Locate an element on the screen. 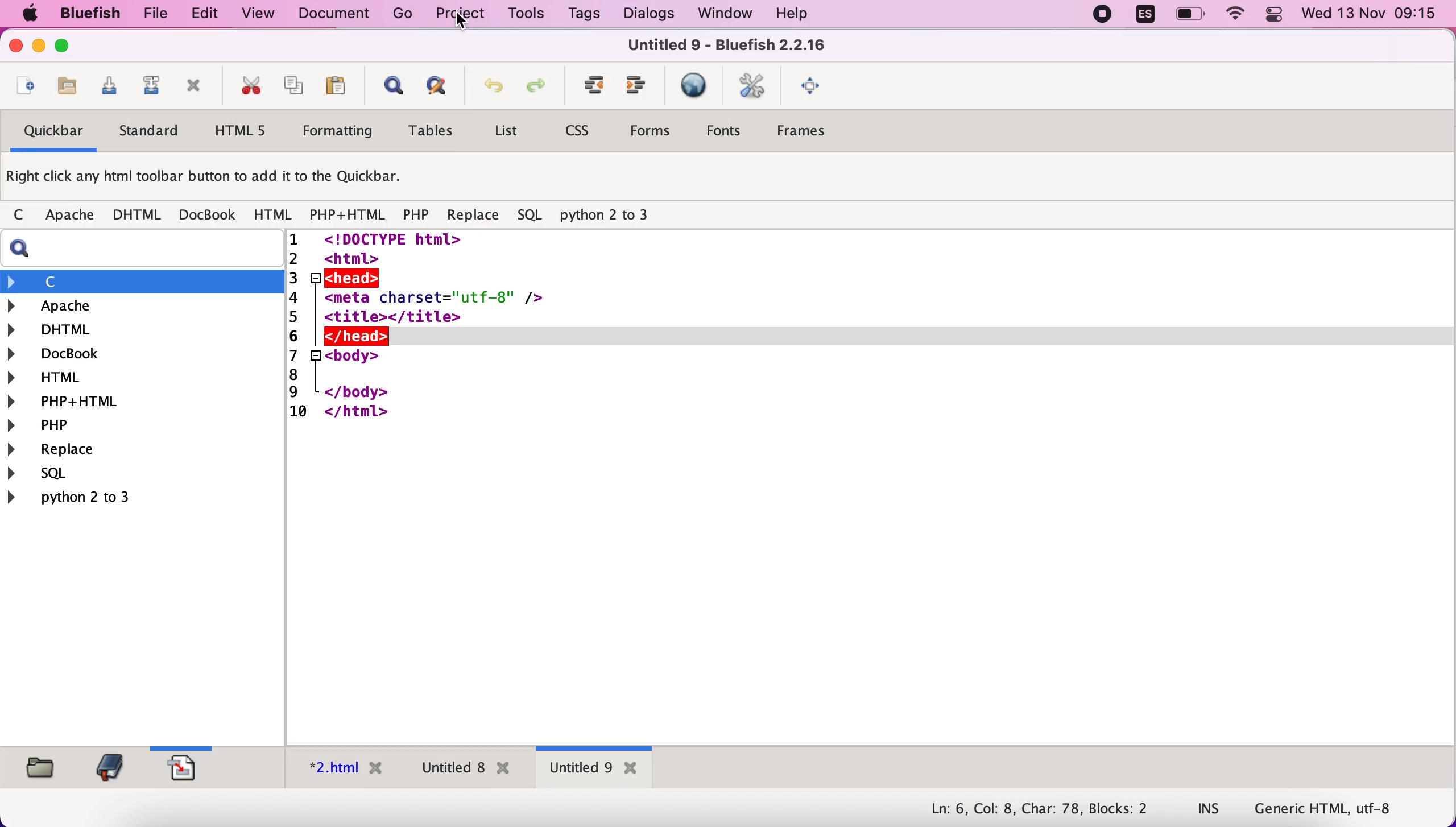  tab is located at coordinates (339, 771).